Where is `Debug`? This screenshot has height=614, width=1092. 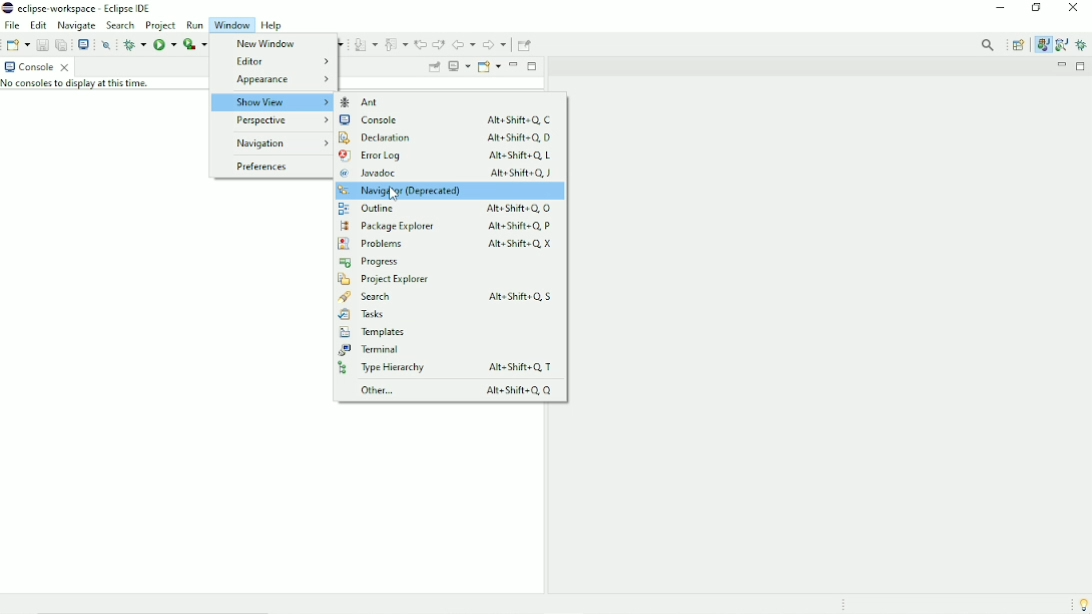
Debug is located at coordinates (1082, 45).